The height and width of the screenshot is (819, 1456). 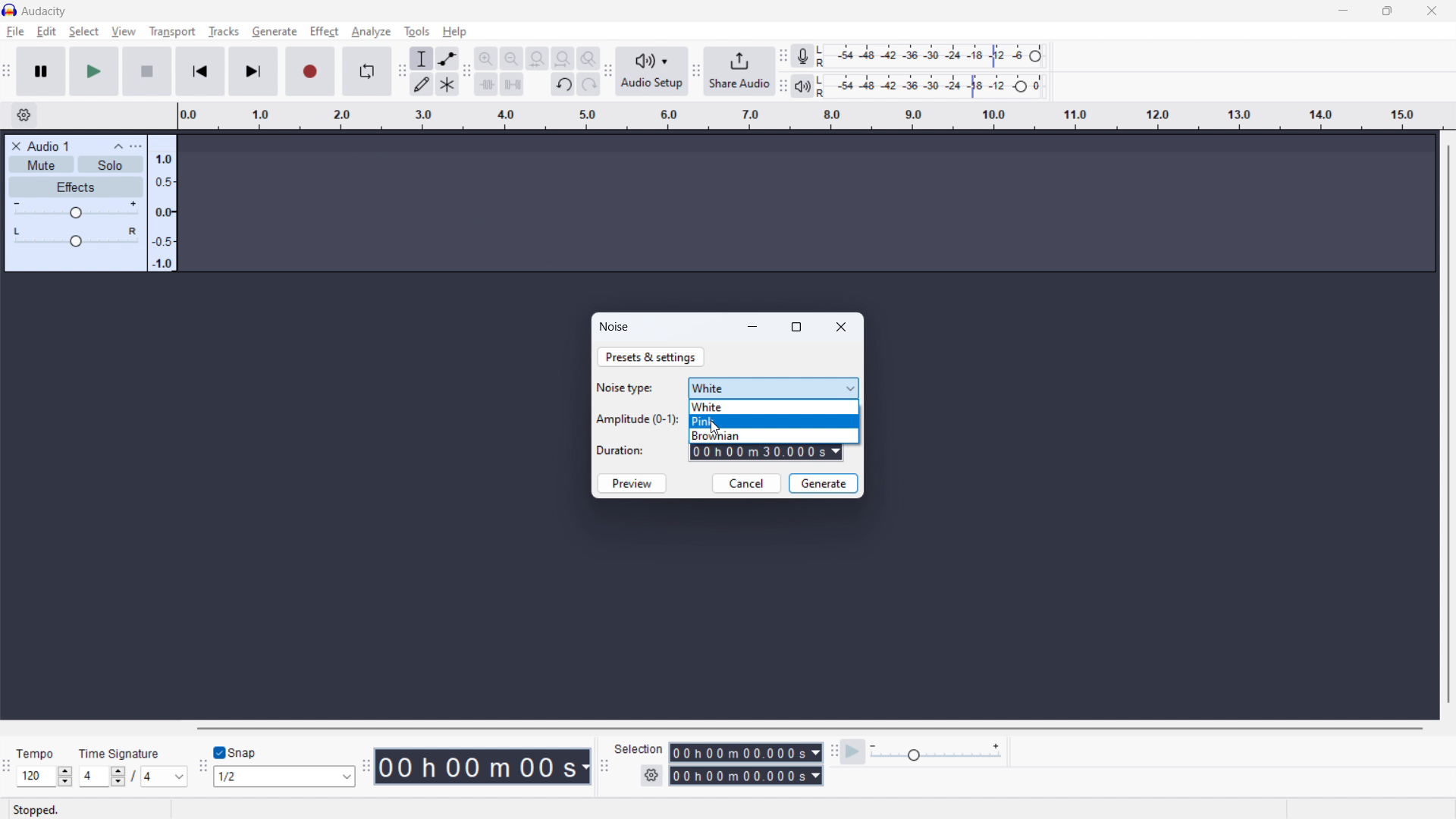 What do you see at coordinates (23, 116) in the screenshot?
I see `timeline settings` at bounding box center [23, 116].